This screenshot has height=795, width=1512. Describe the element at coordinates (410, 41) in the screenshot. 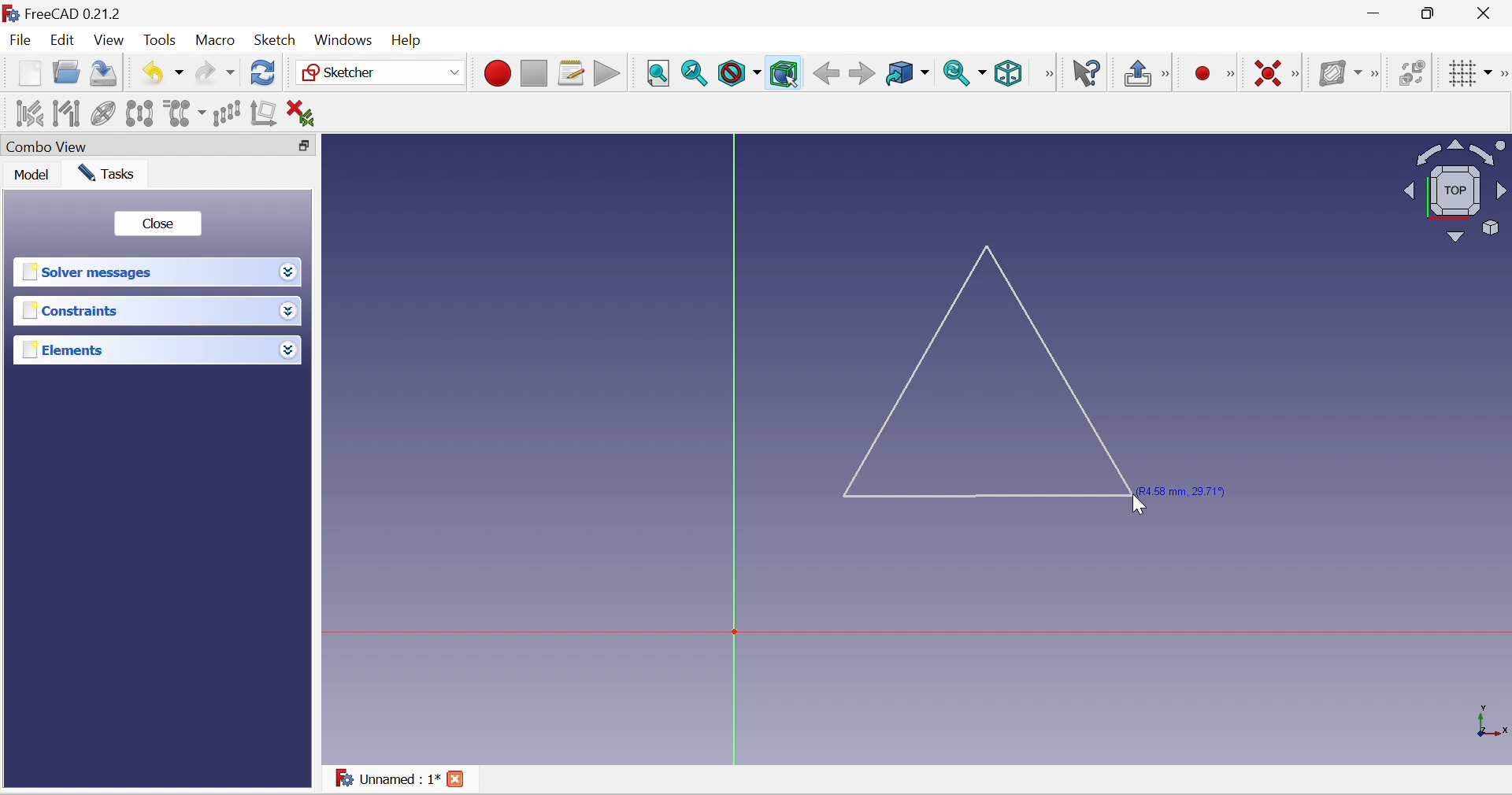

I see `` at that location.